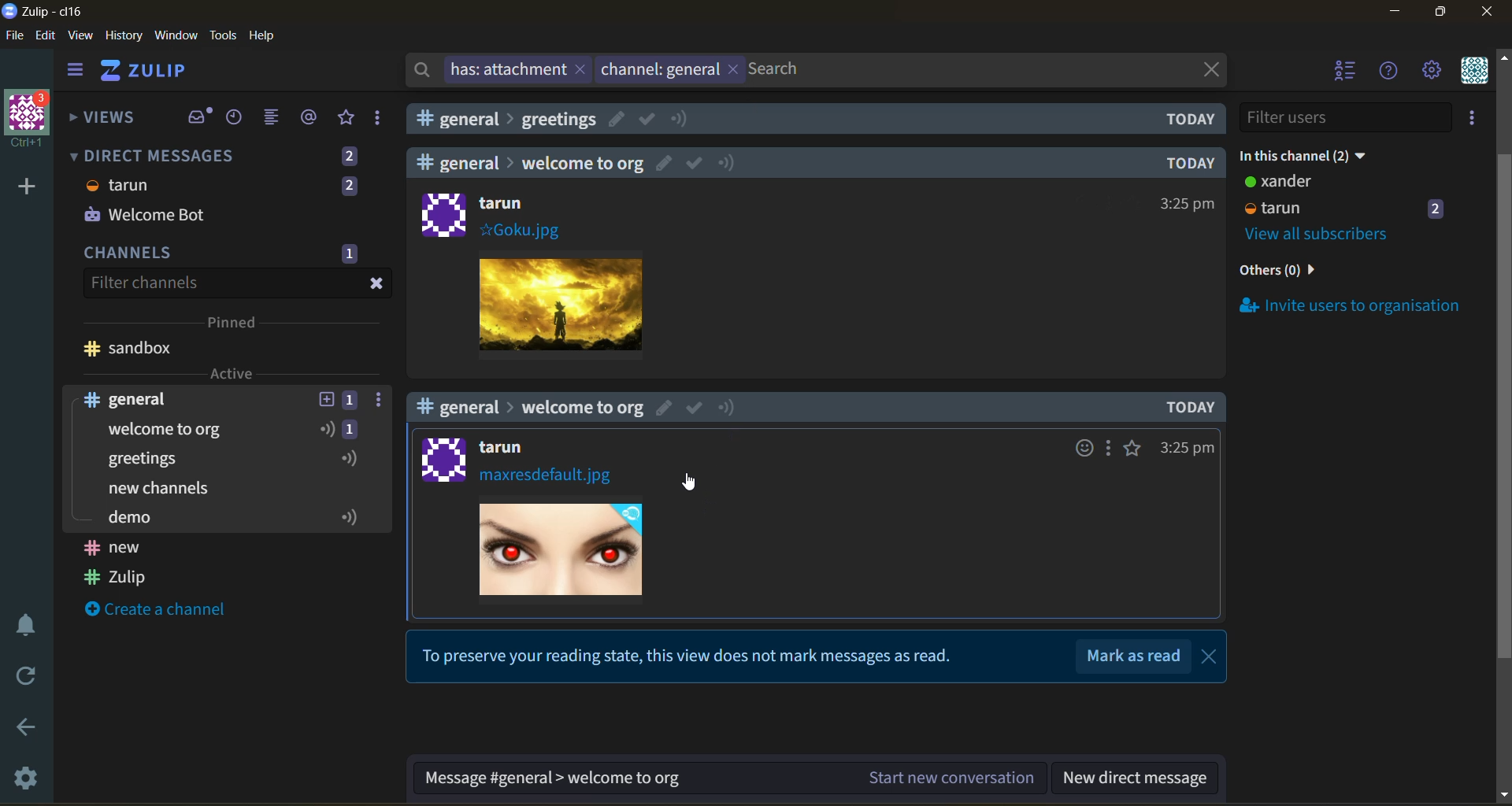 The image size is (1512, 806). What do you see at coordinates (230, 373) in the screenshot?
I see `Active` at bounding box center [230, 373].